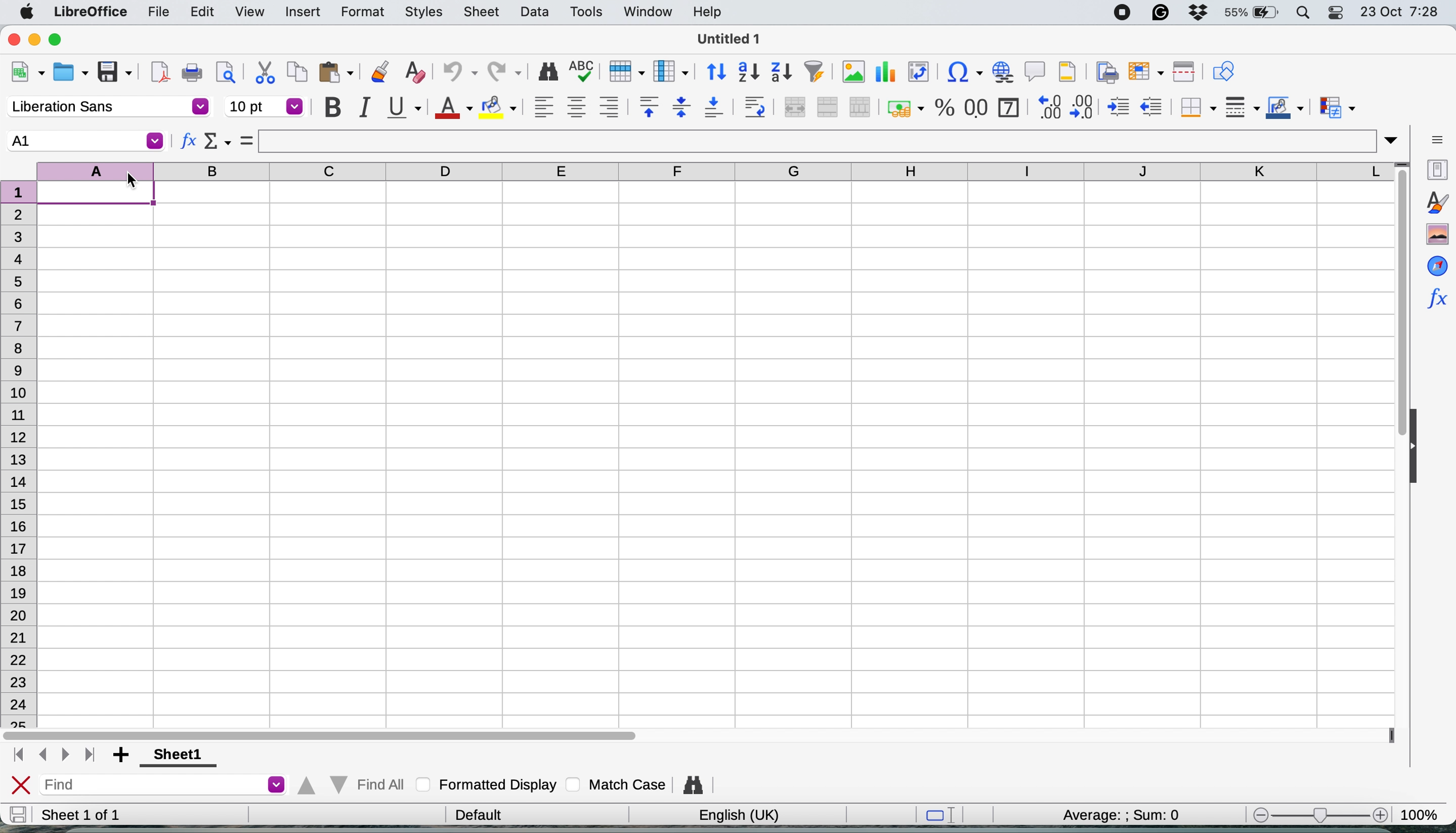 This screenshot has height=833, width=1456. What do you see at coordinates (1240, 108) in the screenshot?
I see `border styles` at bounding box center [1240, 108].